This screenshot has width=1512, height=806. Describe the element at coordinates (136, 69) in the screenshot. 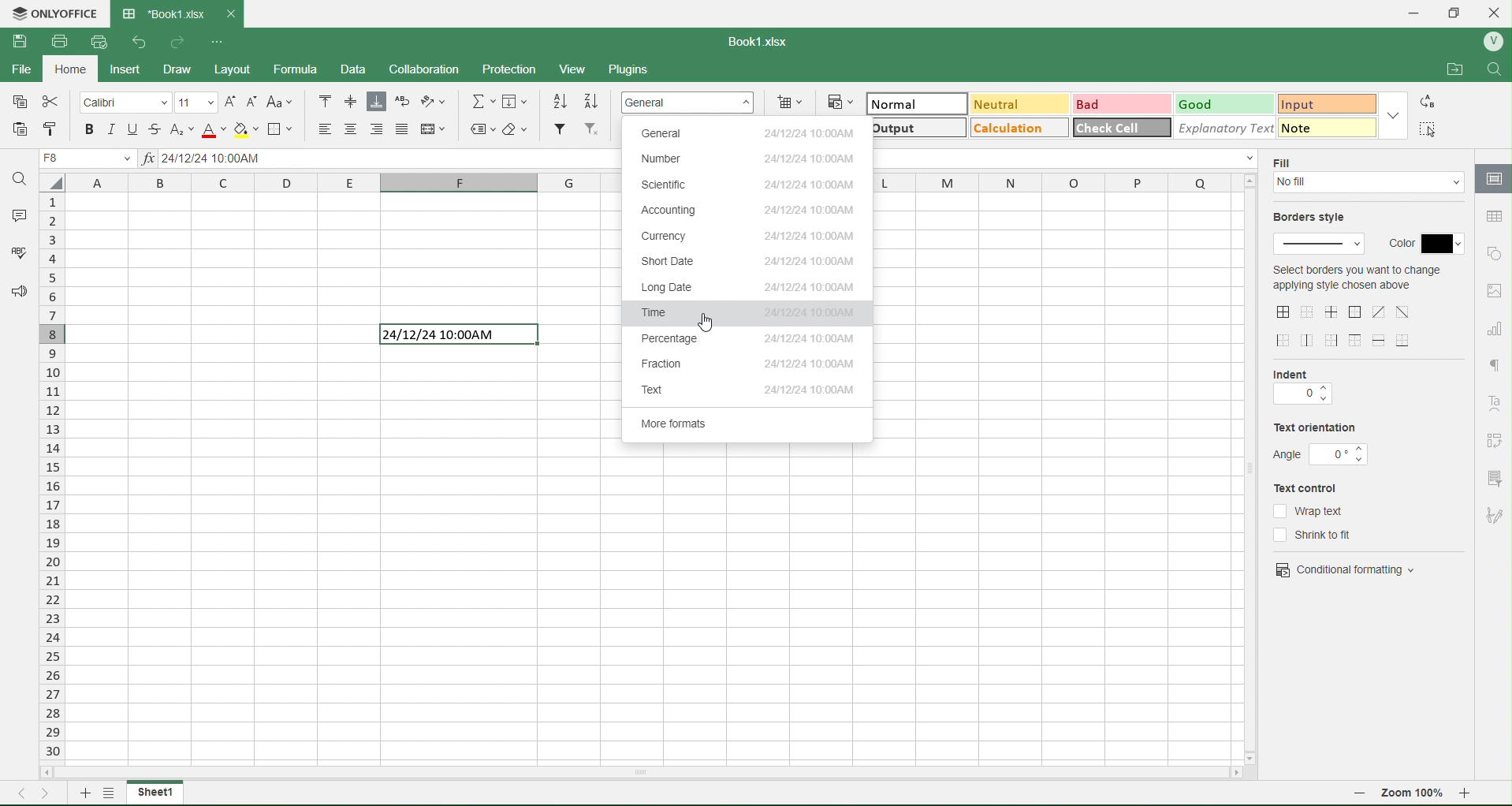

I see `Insert` at that location.